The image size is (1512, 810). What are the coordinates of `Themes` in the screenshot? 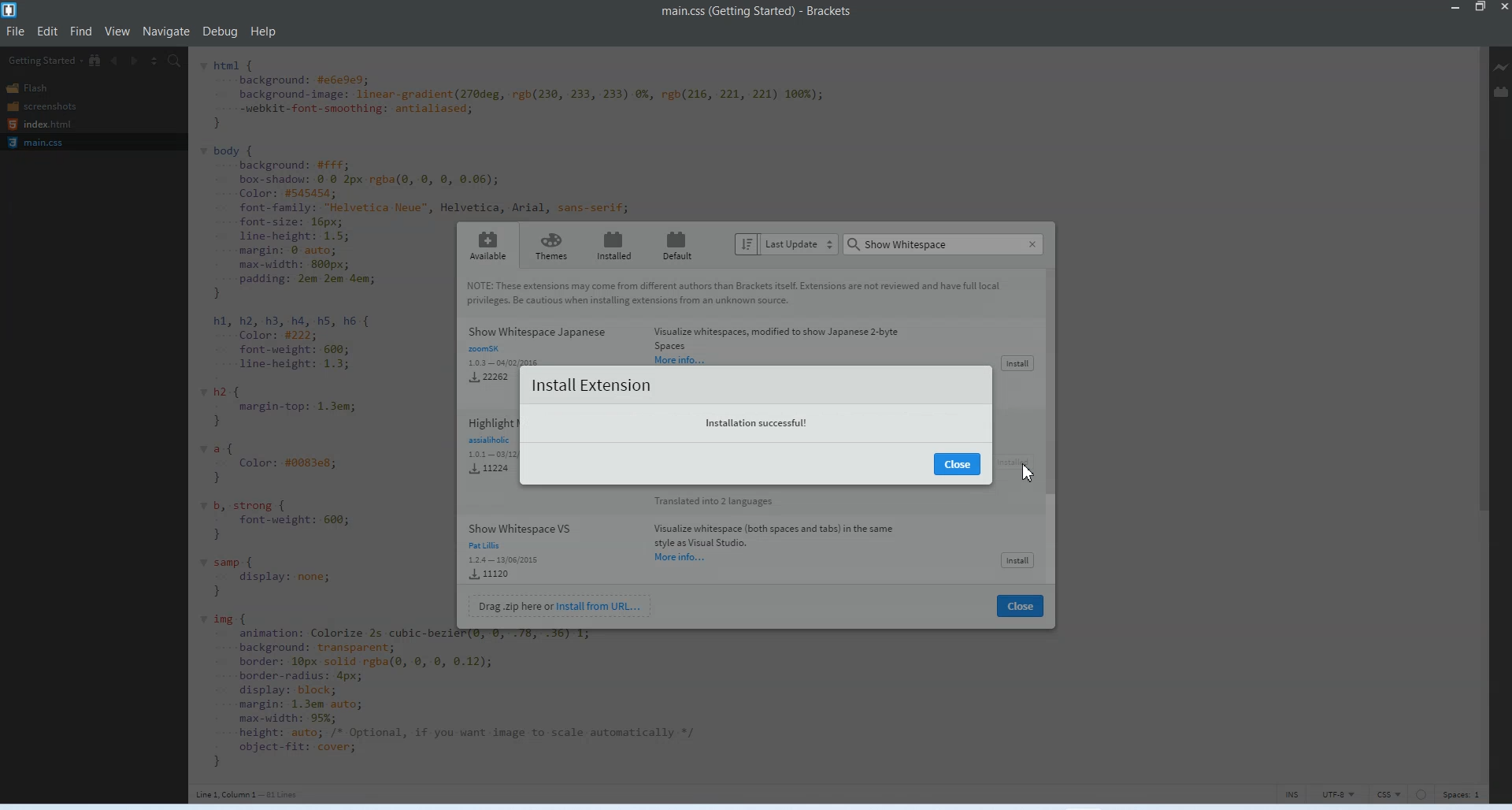 It's located at (550, 245).